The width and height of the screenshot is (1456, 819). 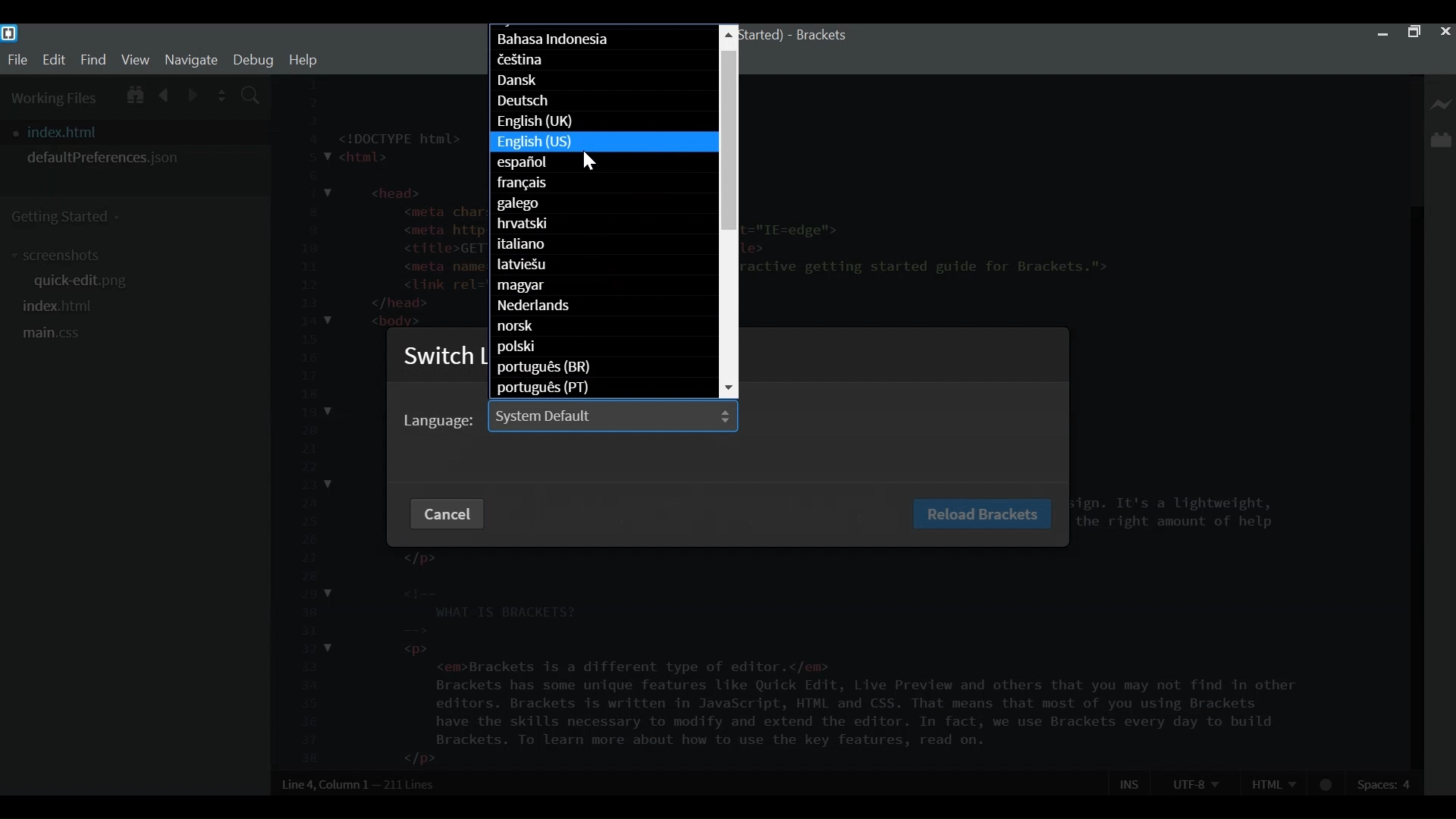 What do you see at coordinates (52, 334) in the screenshot?
I see `main.css` at bounding box center [52, 334].